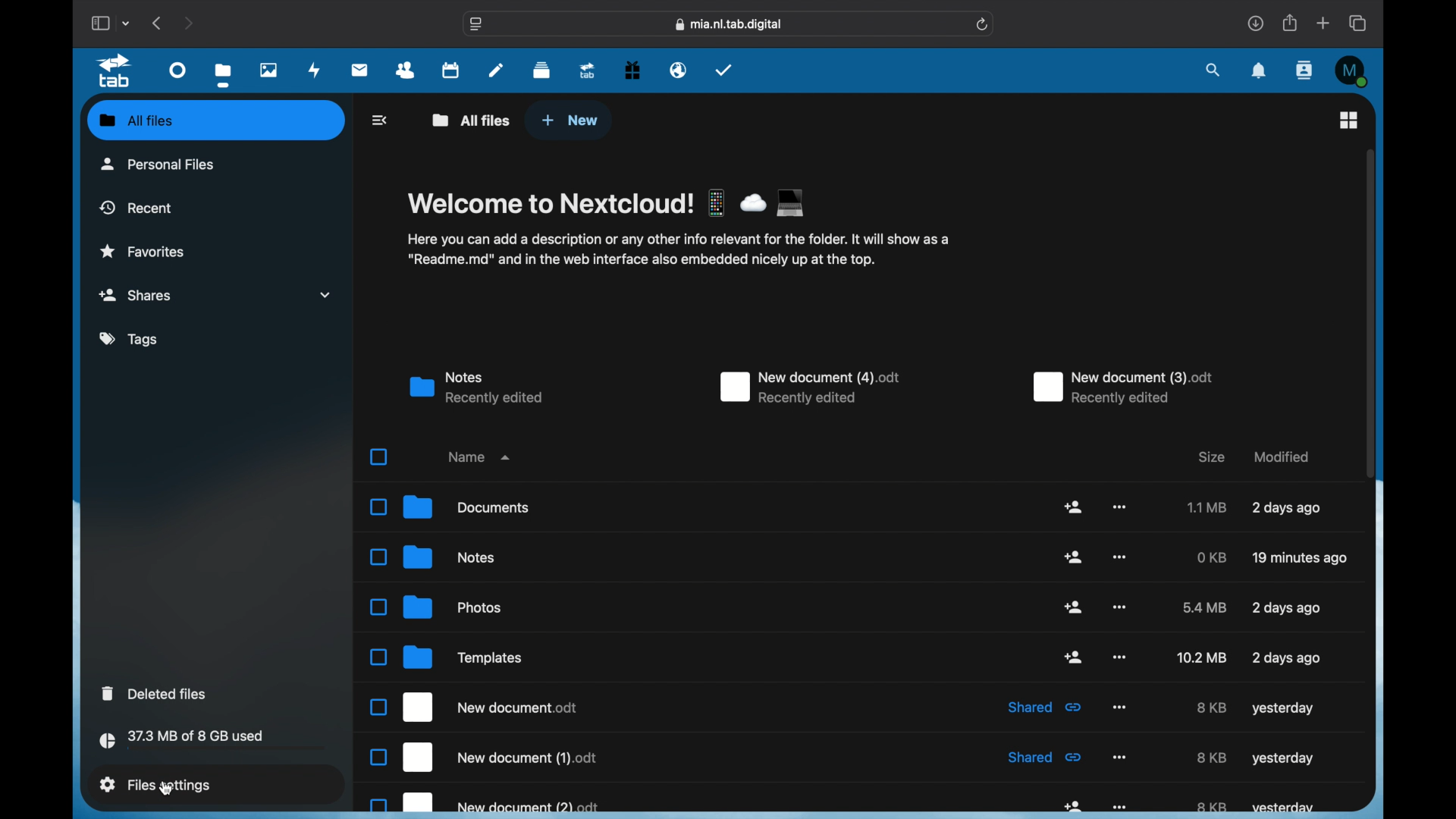  What do you see at coordinates (1283, 758) in the screenshot?
I see `yesterday` at bounding box center [1283, 758].